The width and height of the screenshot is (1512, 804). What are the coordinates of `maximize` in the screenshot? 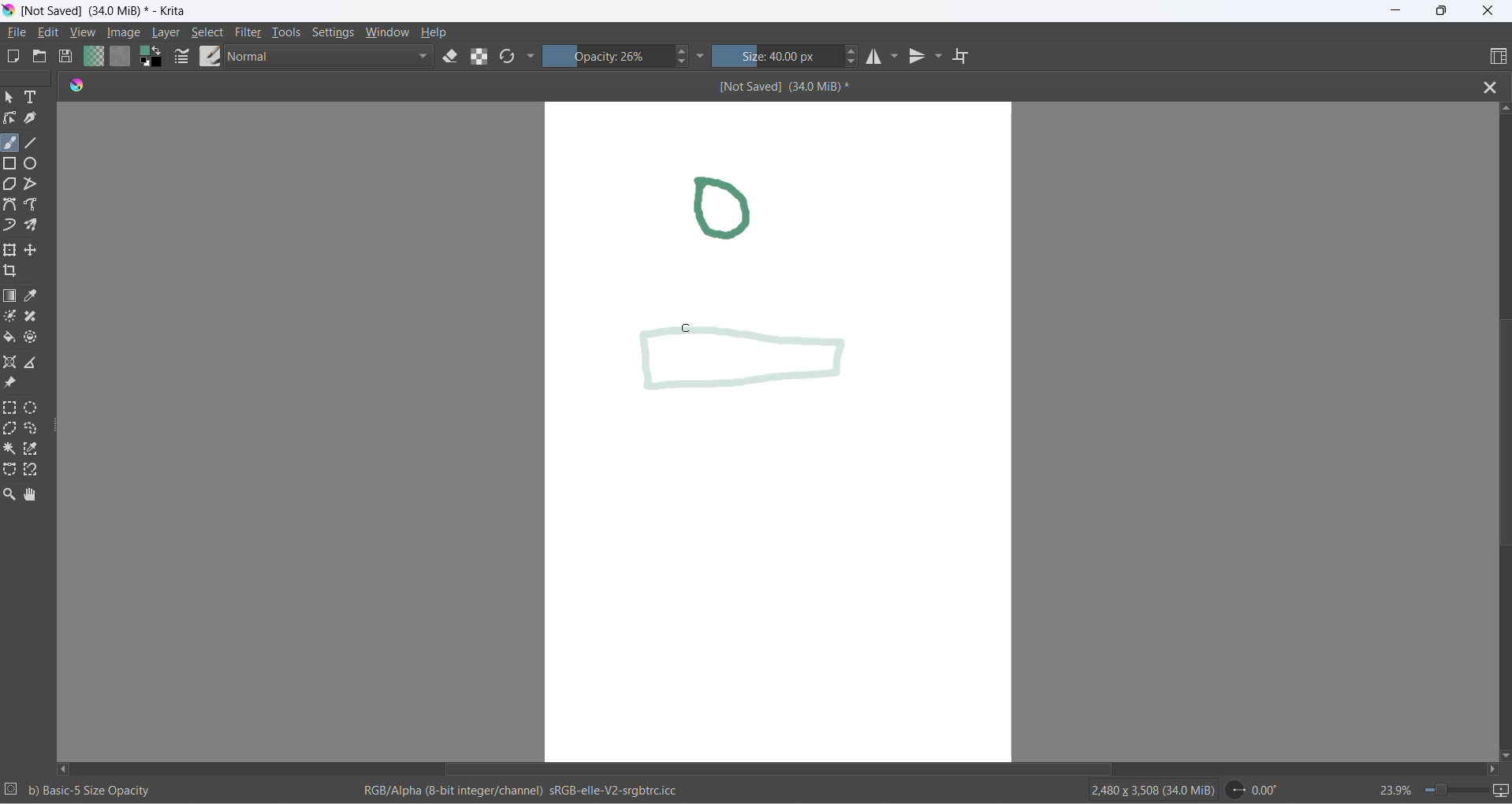 It's located at (1438, 11).